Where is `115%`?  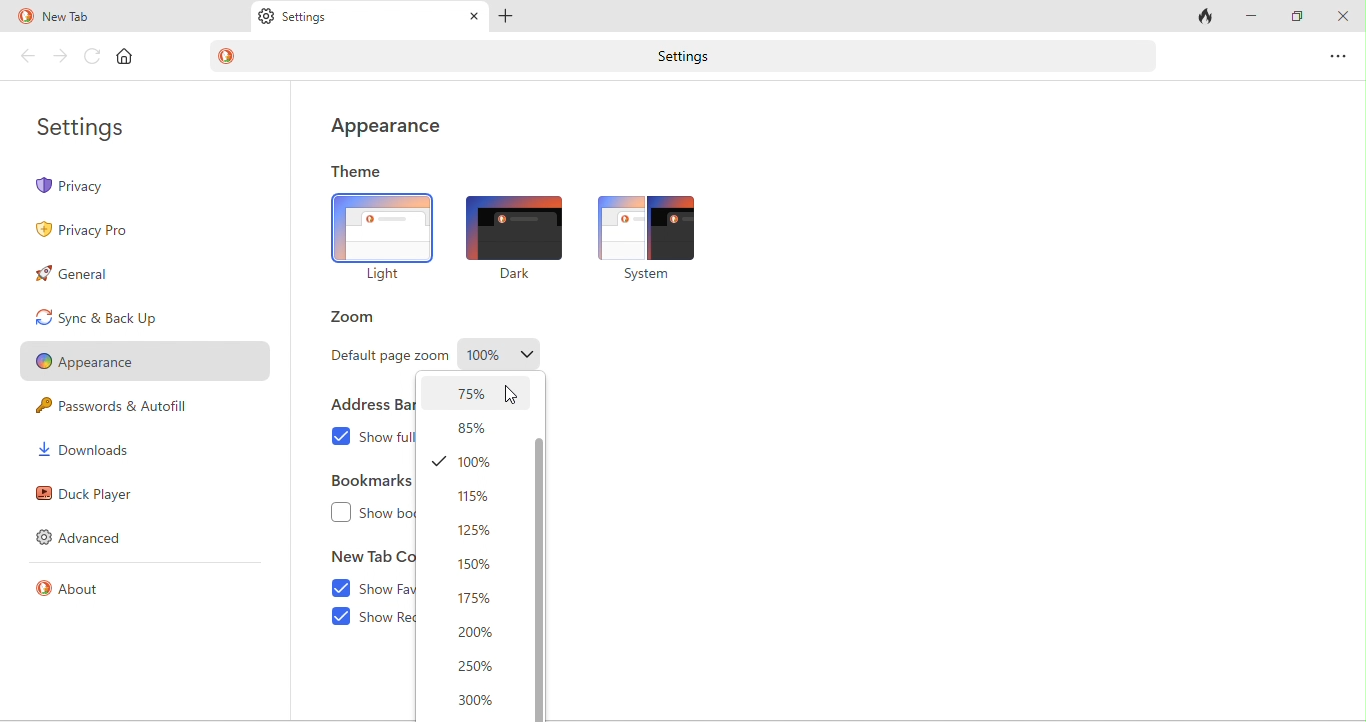 115% is located at coordinates (472, 495).